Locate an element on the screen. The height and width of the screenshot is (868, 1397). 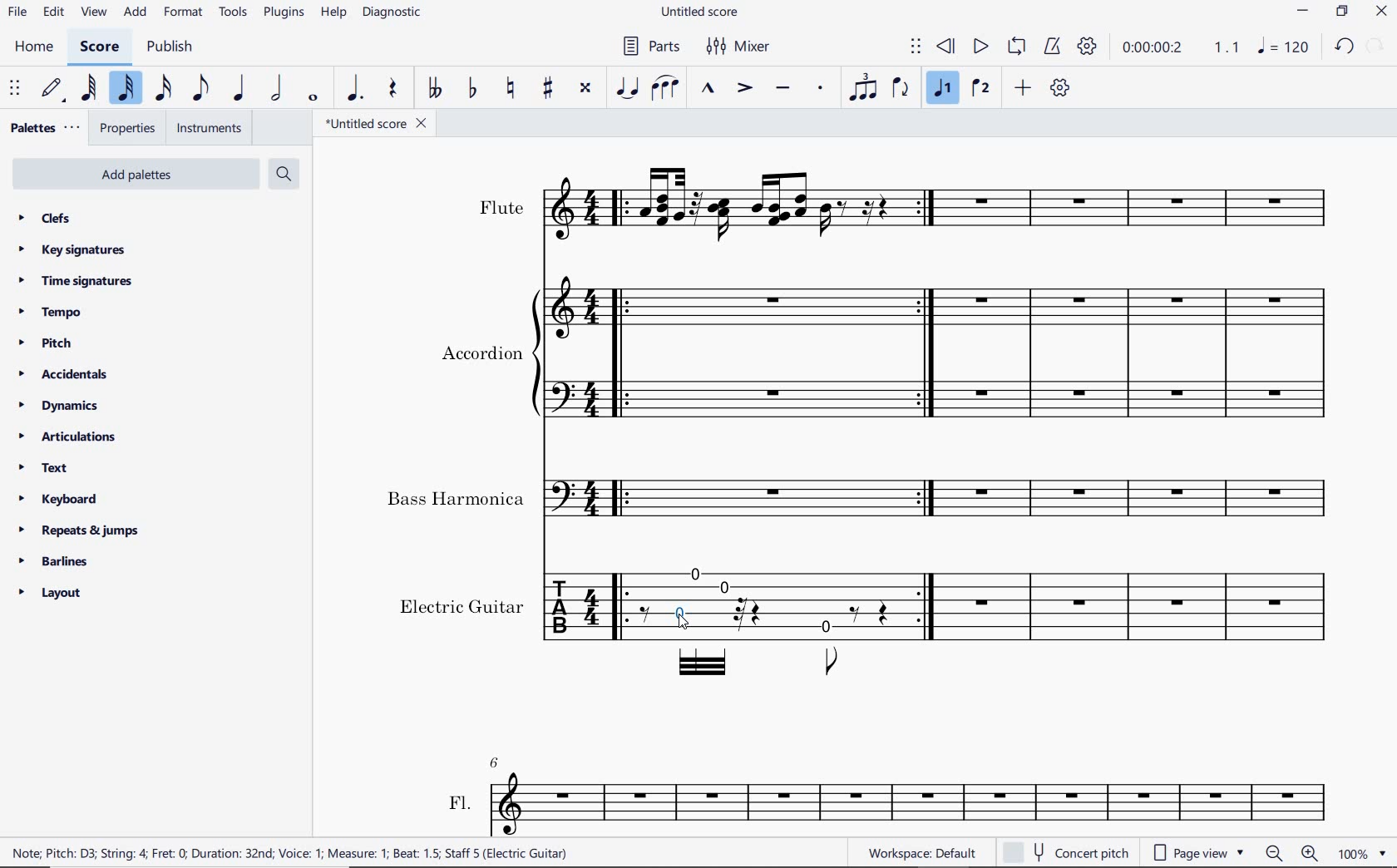
Instrument: Flute is located at coordinates (906, 206).